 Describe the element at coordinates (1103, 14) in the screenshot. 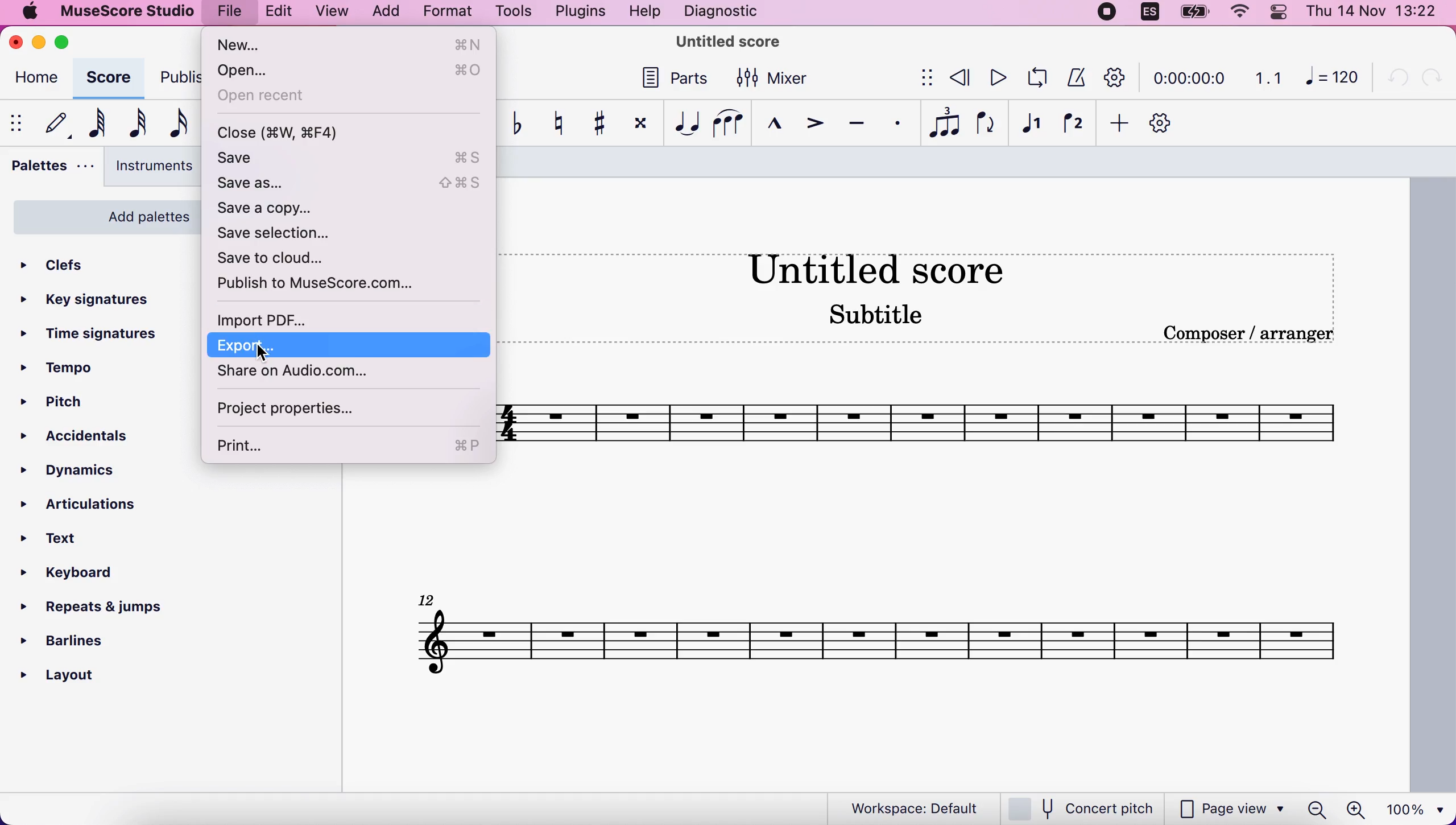

I see `recording stopped` at that location.